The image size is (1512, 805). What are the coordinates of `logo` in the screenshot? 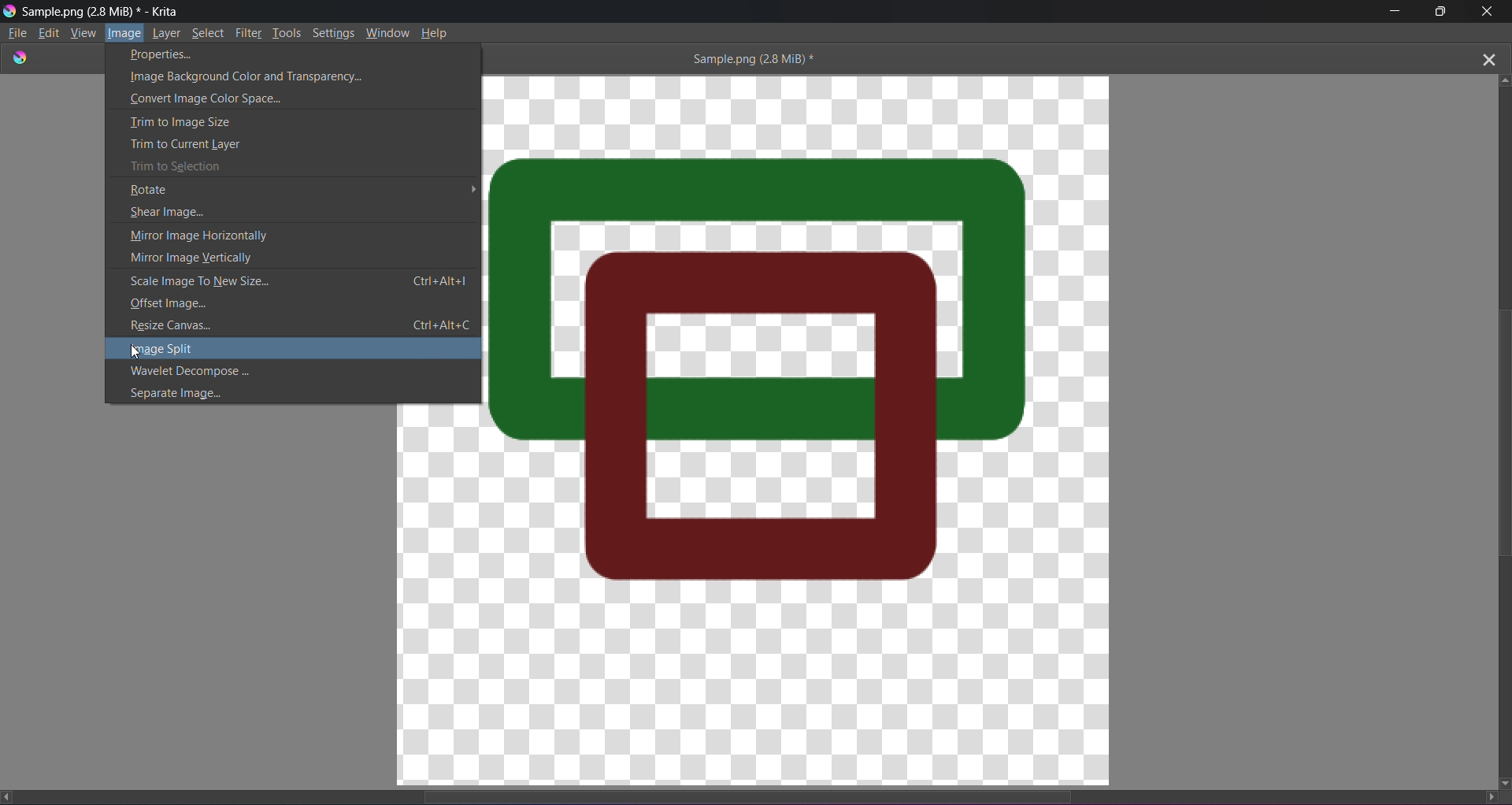 It's located at (20, 57).